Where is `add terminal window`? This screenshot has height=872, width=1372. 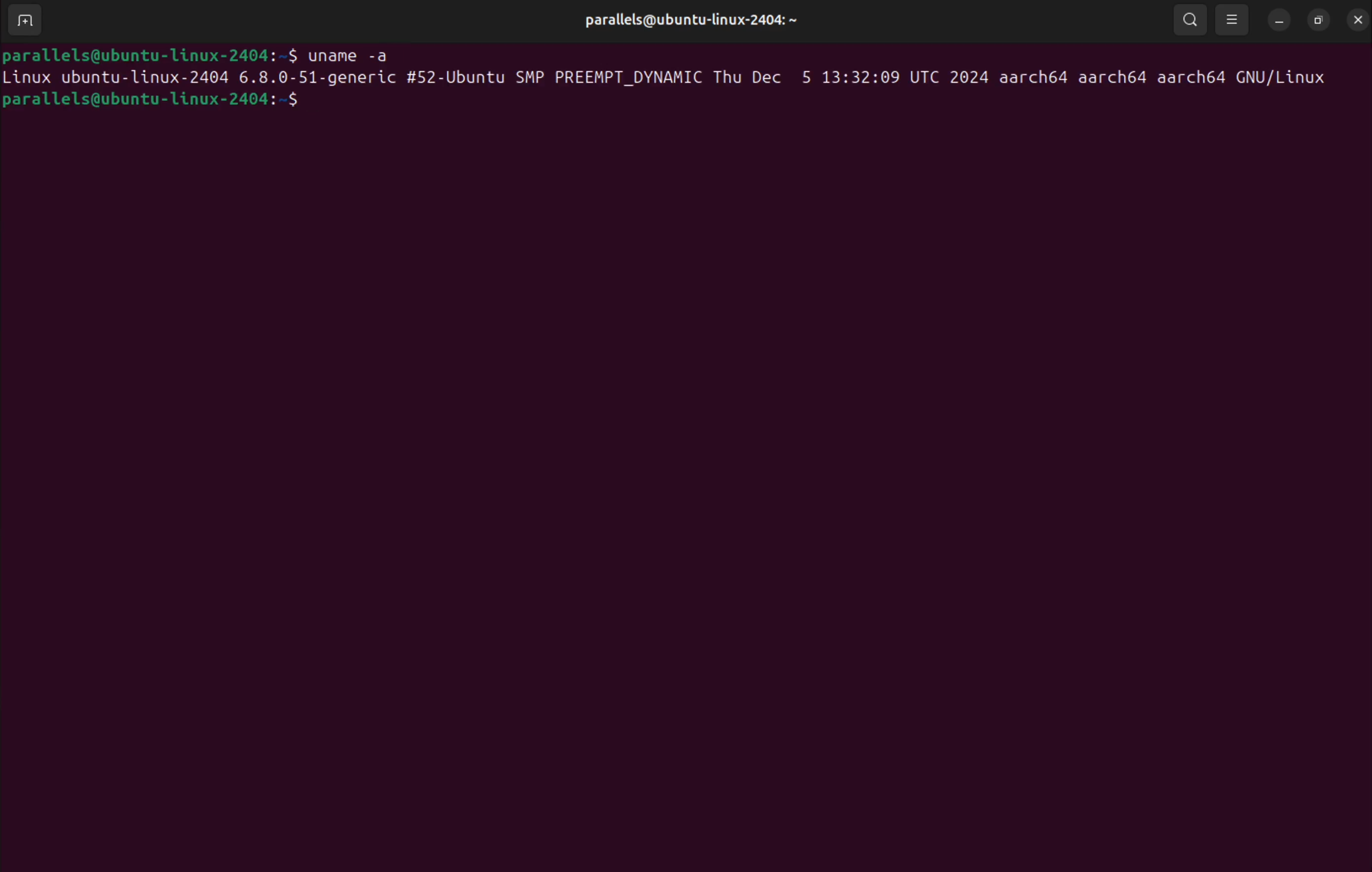 add terminal window is located at coordinates (28, 20).